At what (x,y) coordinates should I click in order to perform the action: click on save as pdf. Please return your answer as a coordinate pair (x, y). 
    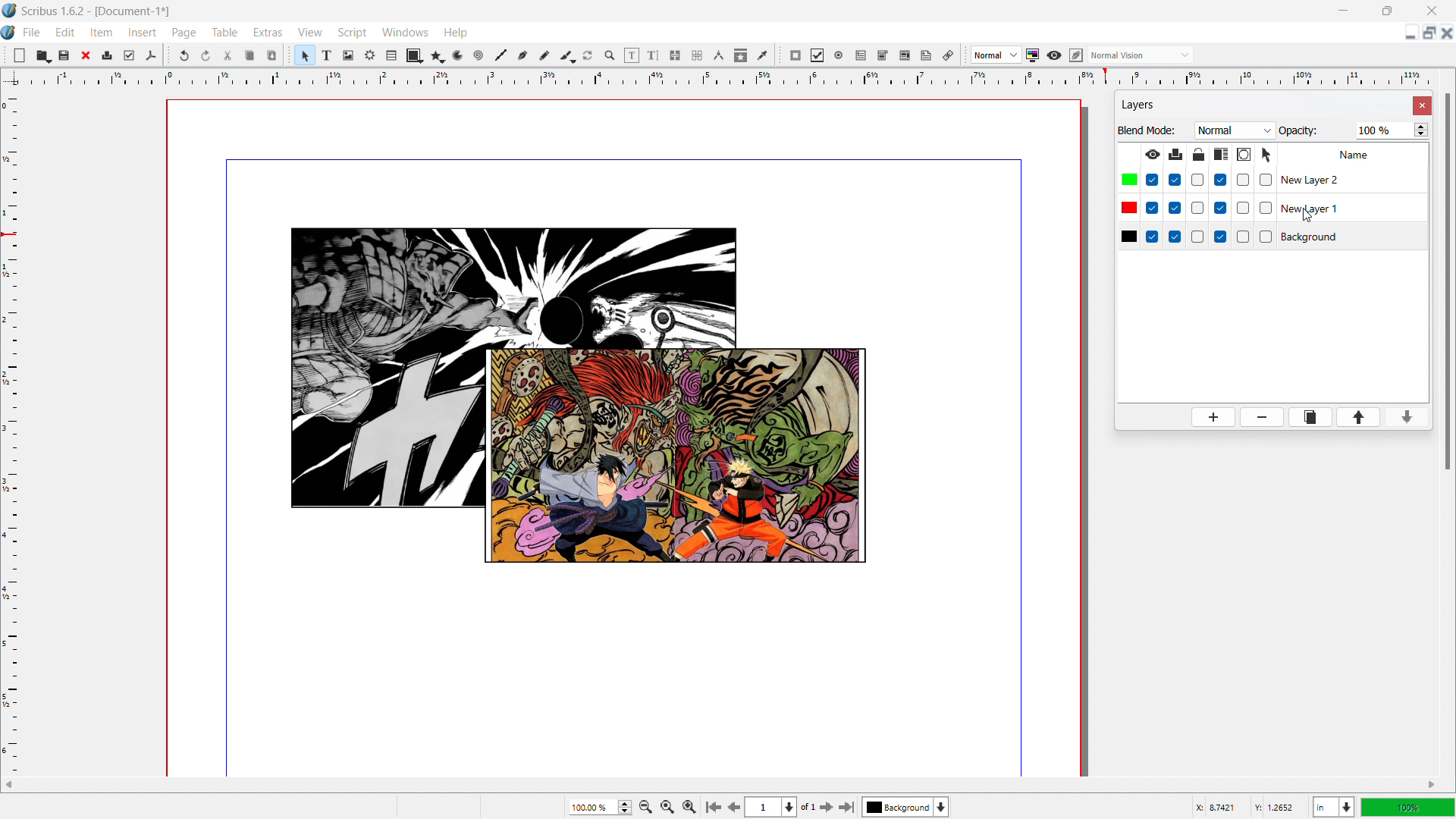
    Looking at the image, I should click on (150, 55).